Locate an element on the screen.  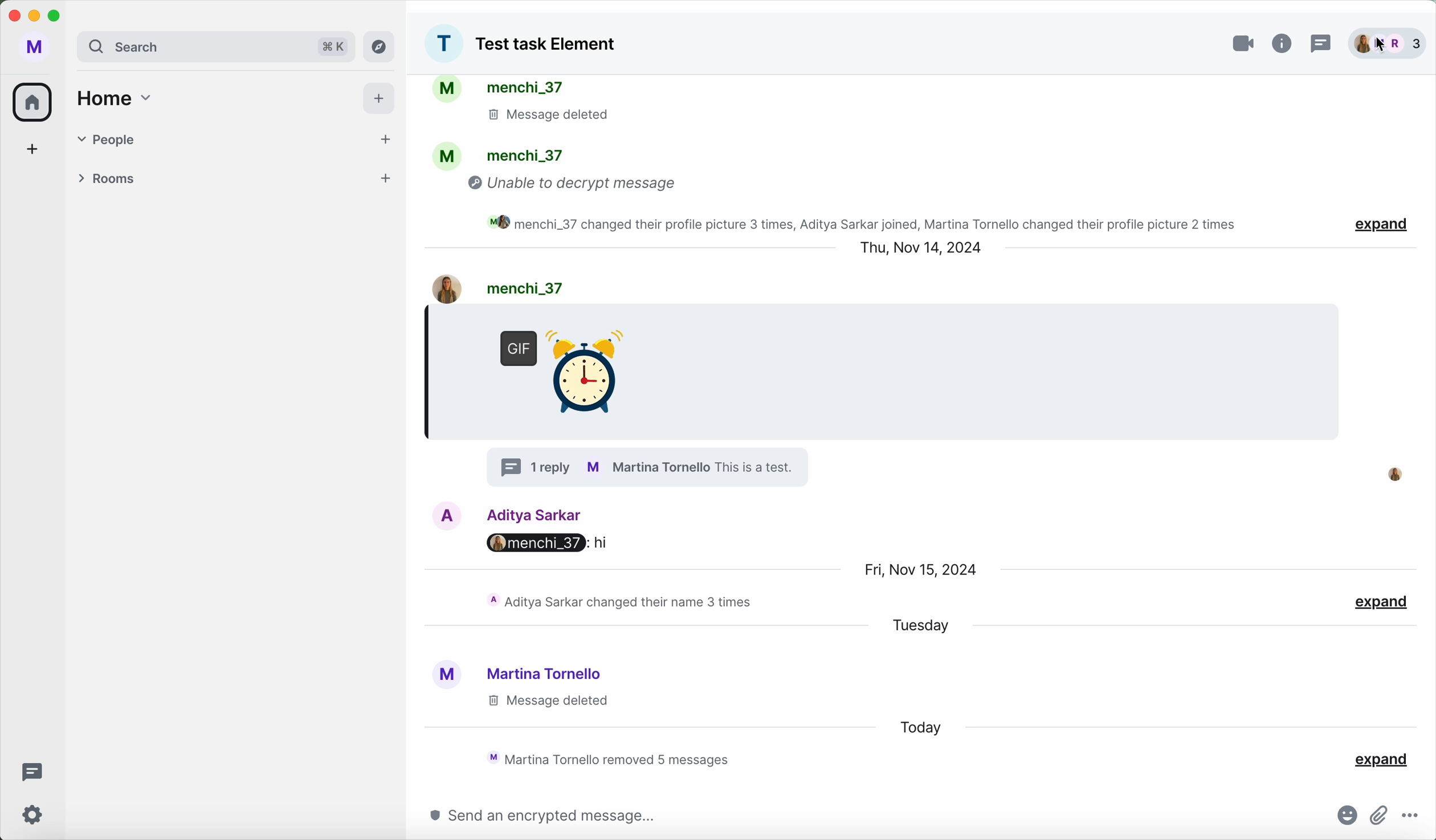
GIF is located at coordinates (556, 366).